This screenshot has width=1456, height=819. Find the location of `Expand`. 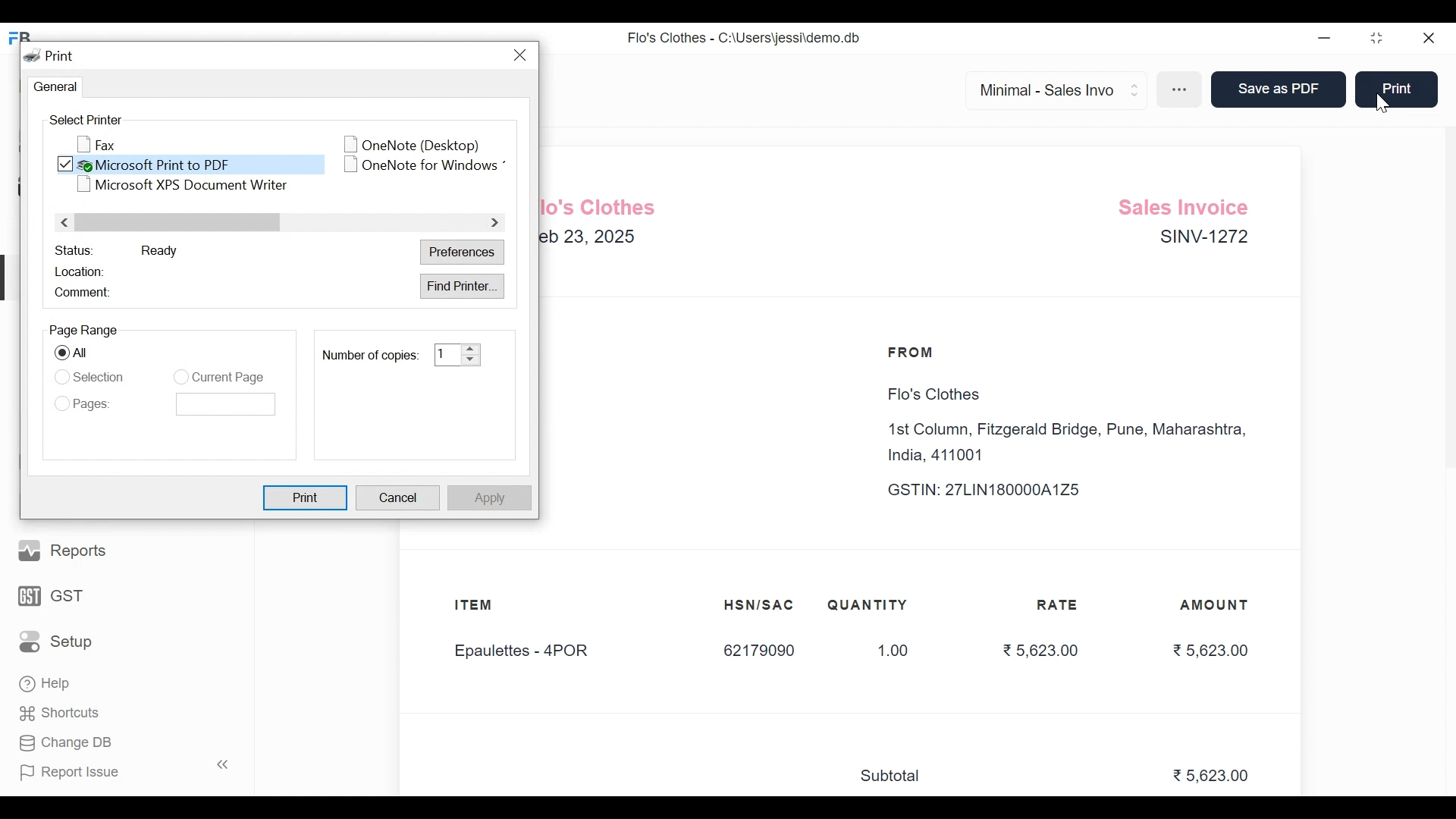

Expand is located at coordinates (471, 354).